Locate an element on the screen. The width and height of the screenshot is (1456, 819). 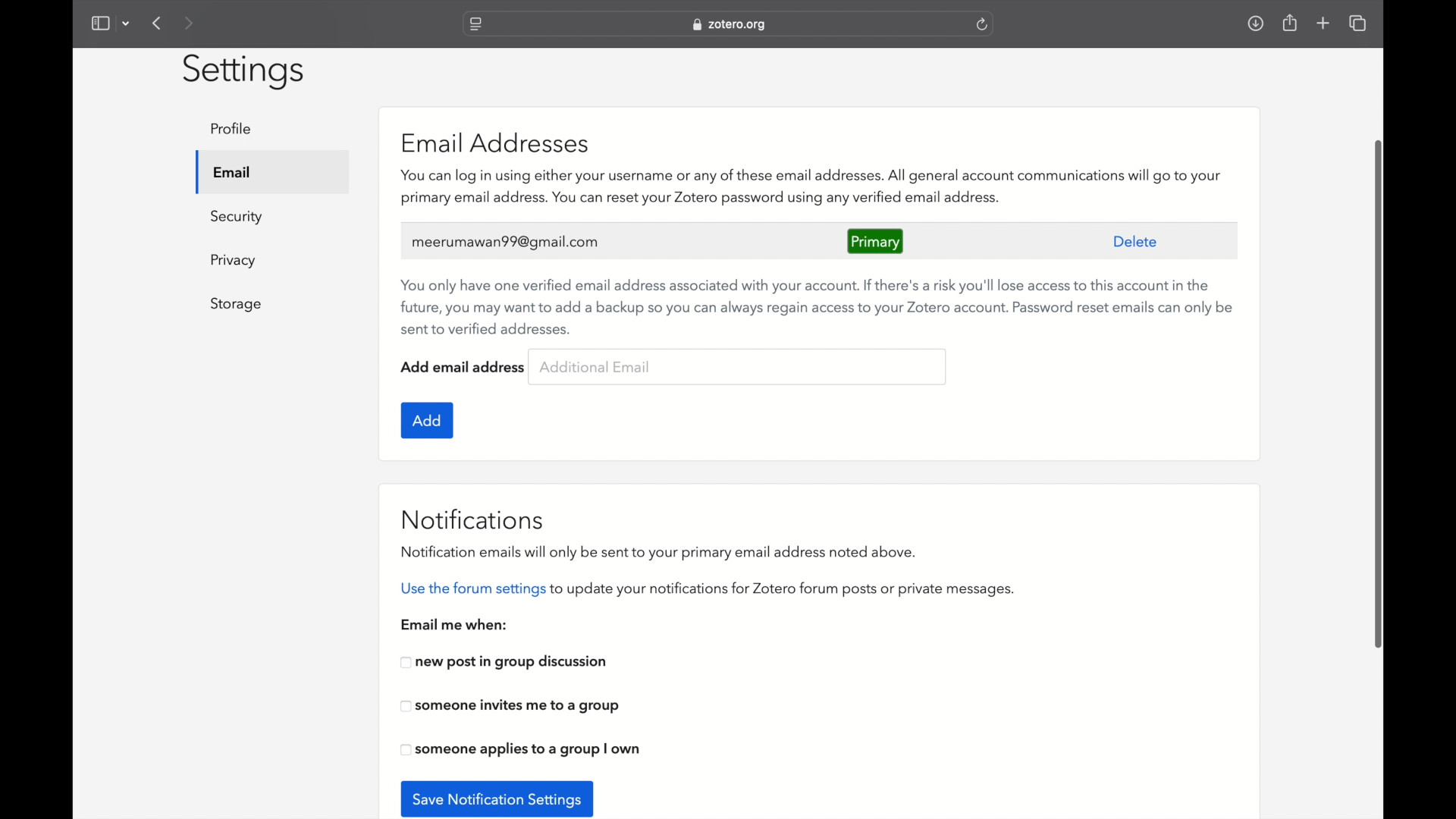
dropdown is located at coordinates (127, 24).